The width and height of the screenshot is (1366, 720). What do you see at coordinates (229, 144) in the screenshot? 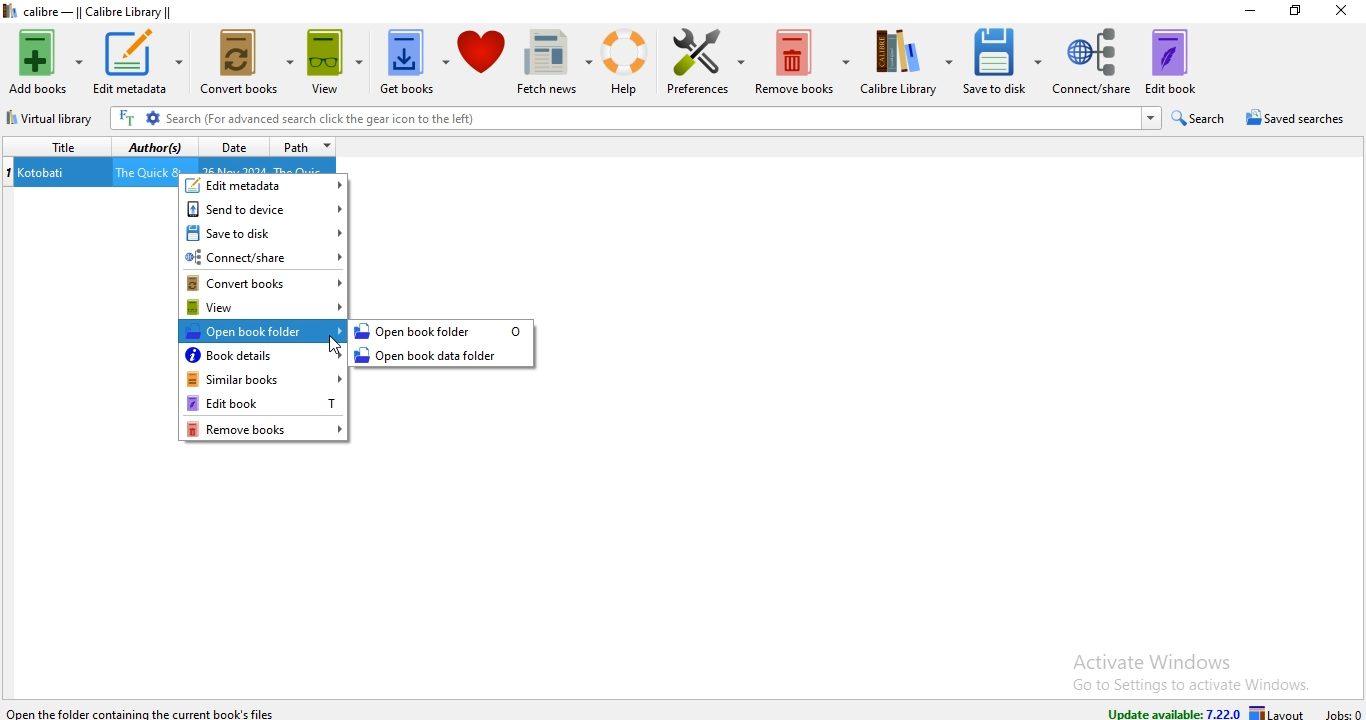
I see `date` at bounding box center [229, 144].